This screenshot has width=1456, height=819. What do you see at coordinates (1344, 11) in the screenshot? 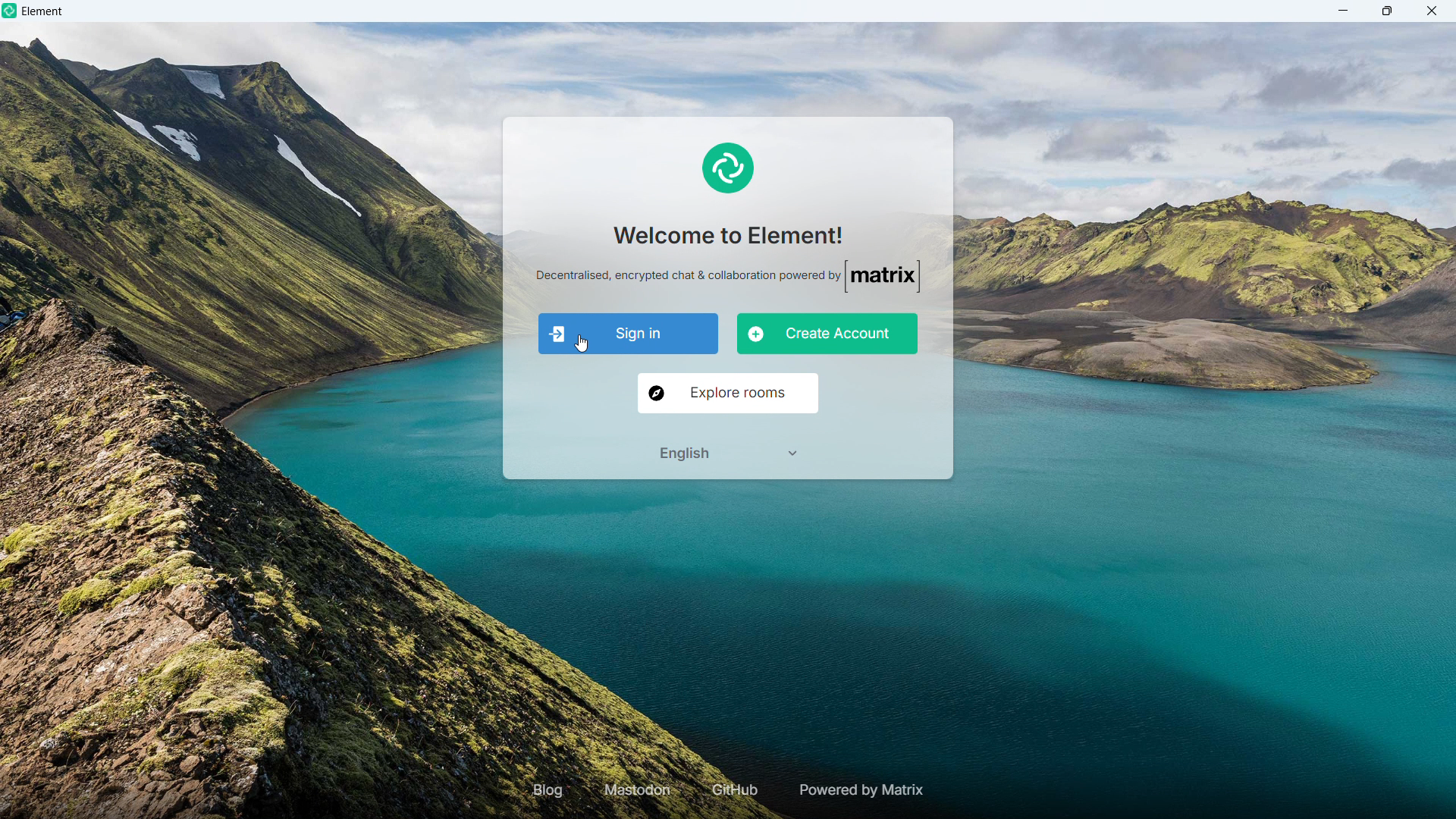
I see `minimize` at bounding box center [1344, 11].